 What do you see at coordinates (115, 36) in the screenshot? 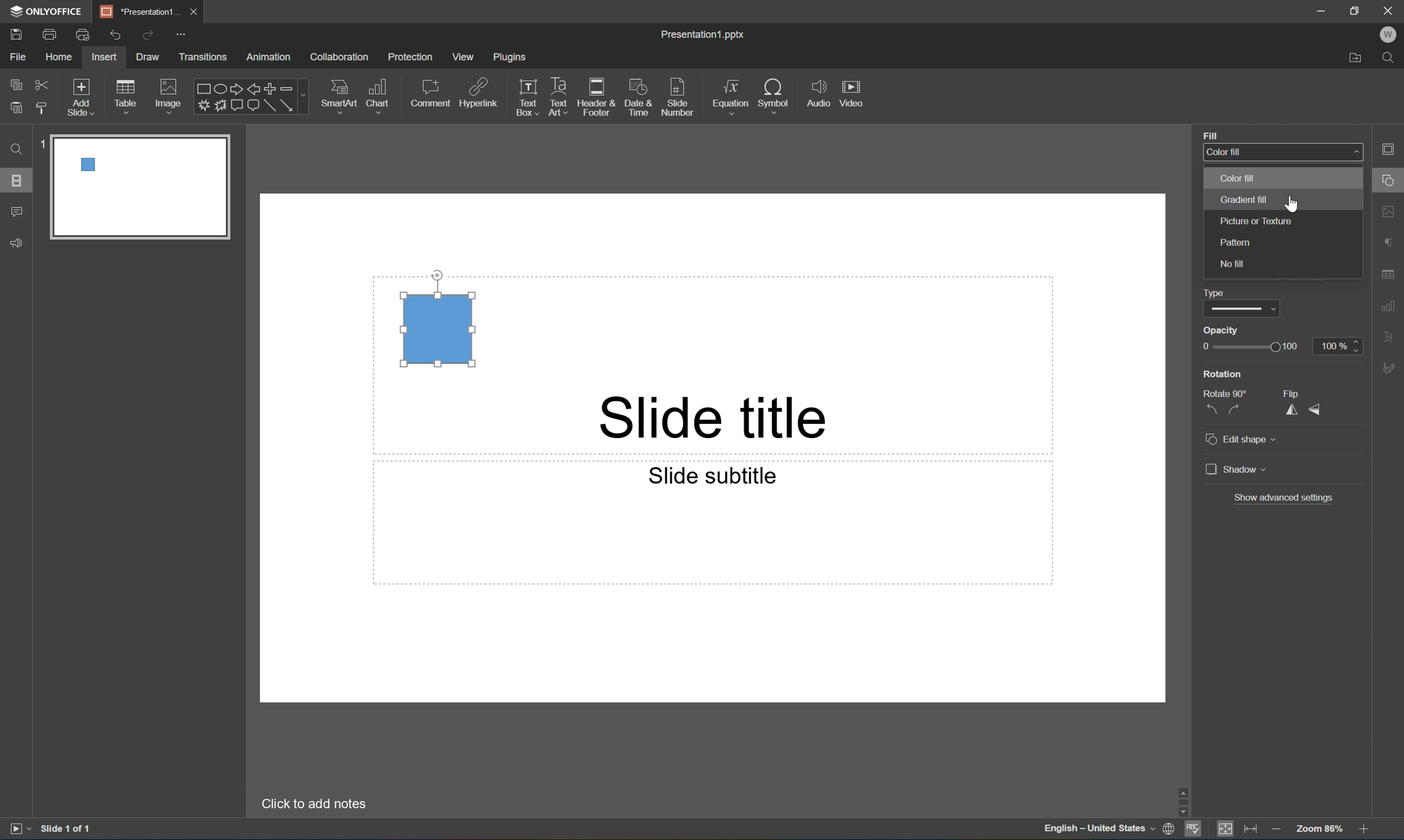
I see `Undo` at bounding box center [115, 36].